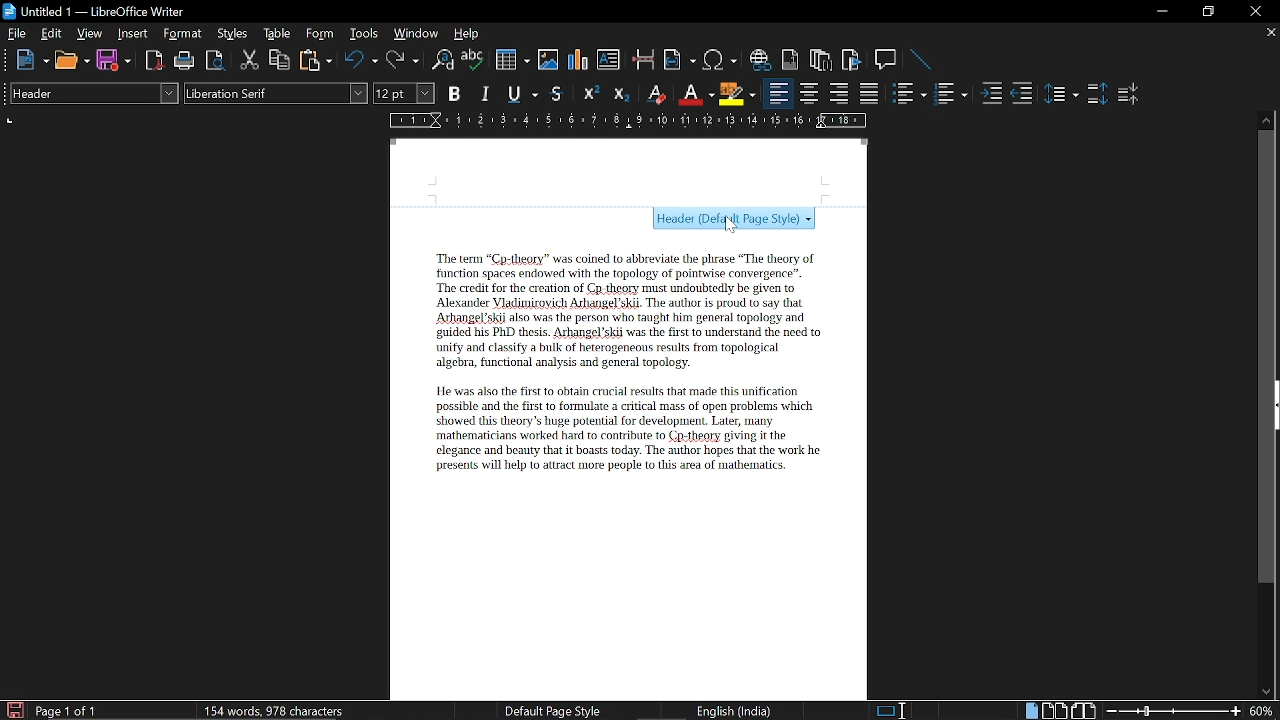 The height and width of the screenshot is (720, 1280). Describe the element at coordinates (137, 33) in the screenshot. I see `Insert` at that location.